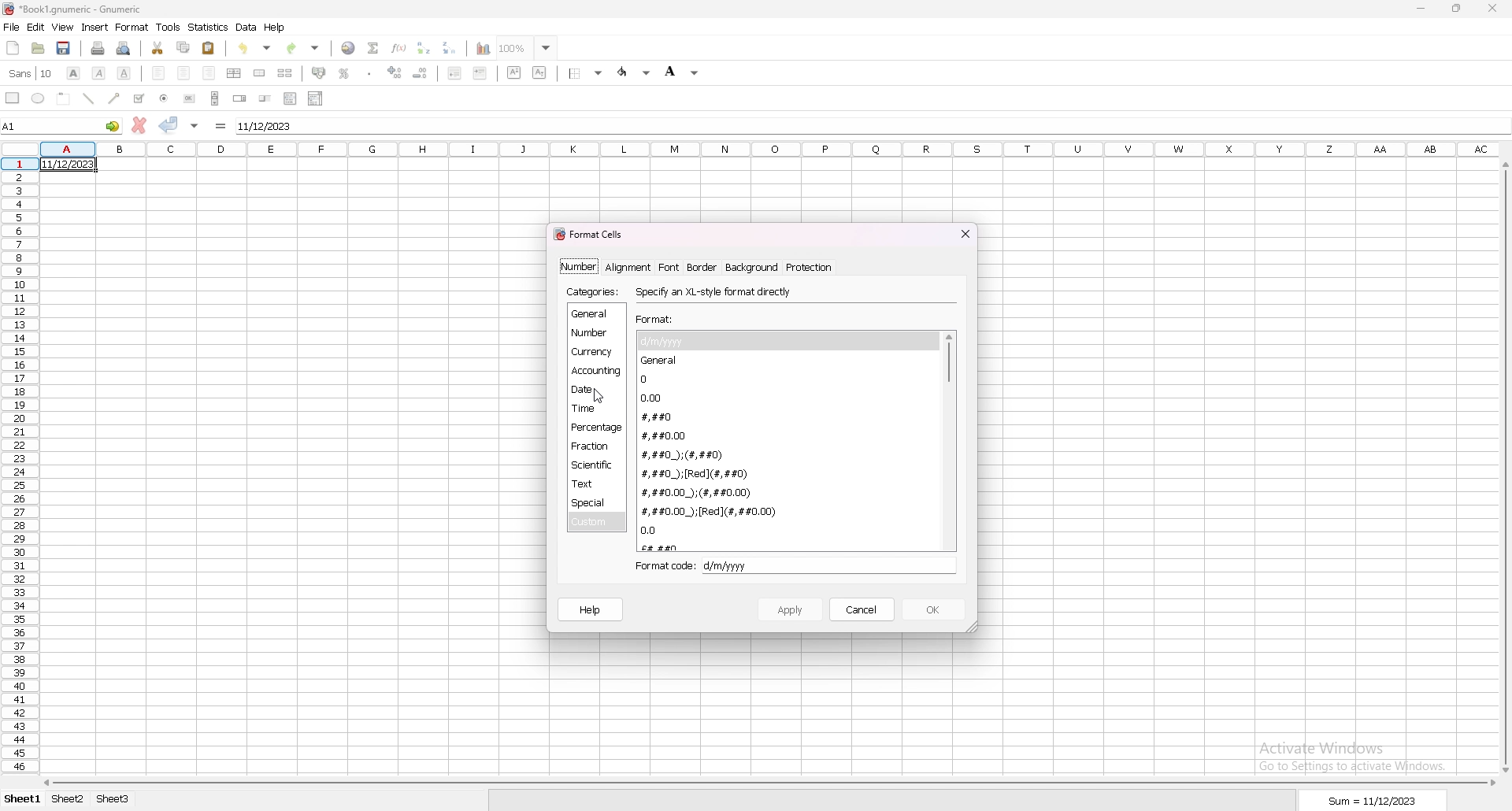 The width and height of the screenshot is (1512, 811). I want to click on format code, so click(665, 566).